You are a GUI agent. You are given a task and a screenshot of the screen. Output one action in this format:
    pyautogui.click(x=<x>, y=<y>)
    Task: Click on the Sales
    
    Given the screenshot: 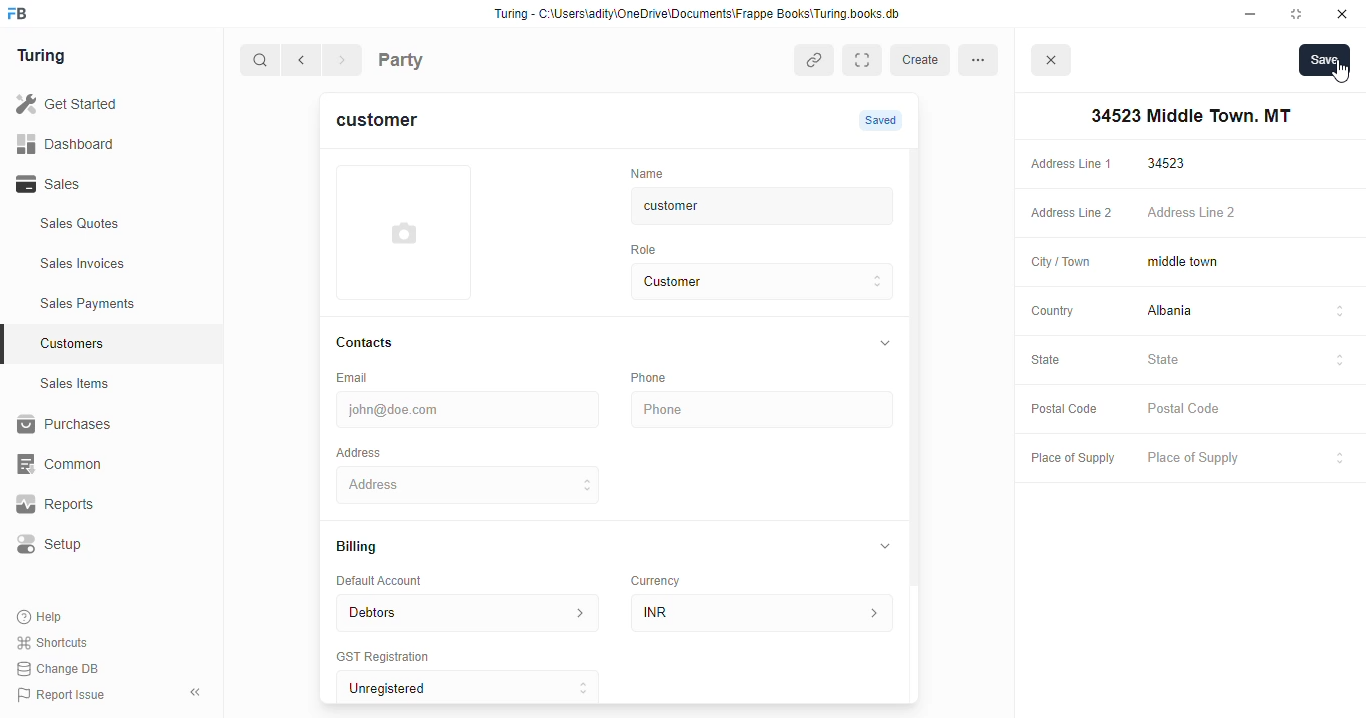 What is the action you would take?
    pyautogui.click(x=98, y=184)
    